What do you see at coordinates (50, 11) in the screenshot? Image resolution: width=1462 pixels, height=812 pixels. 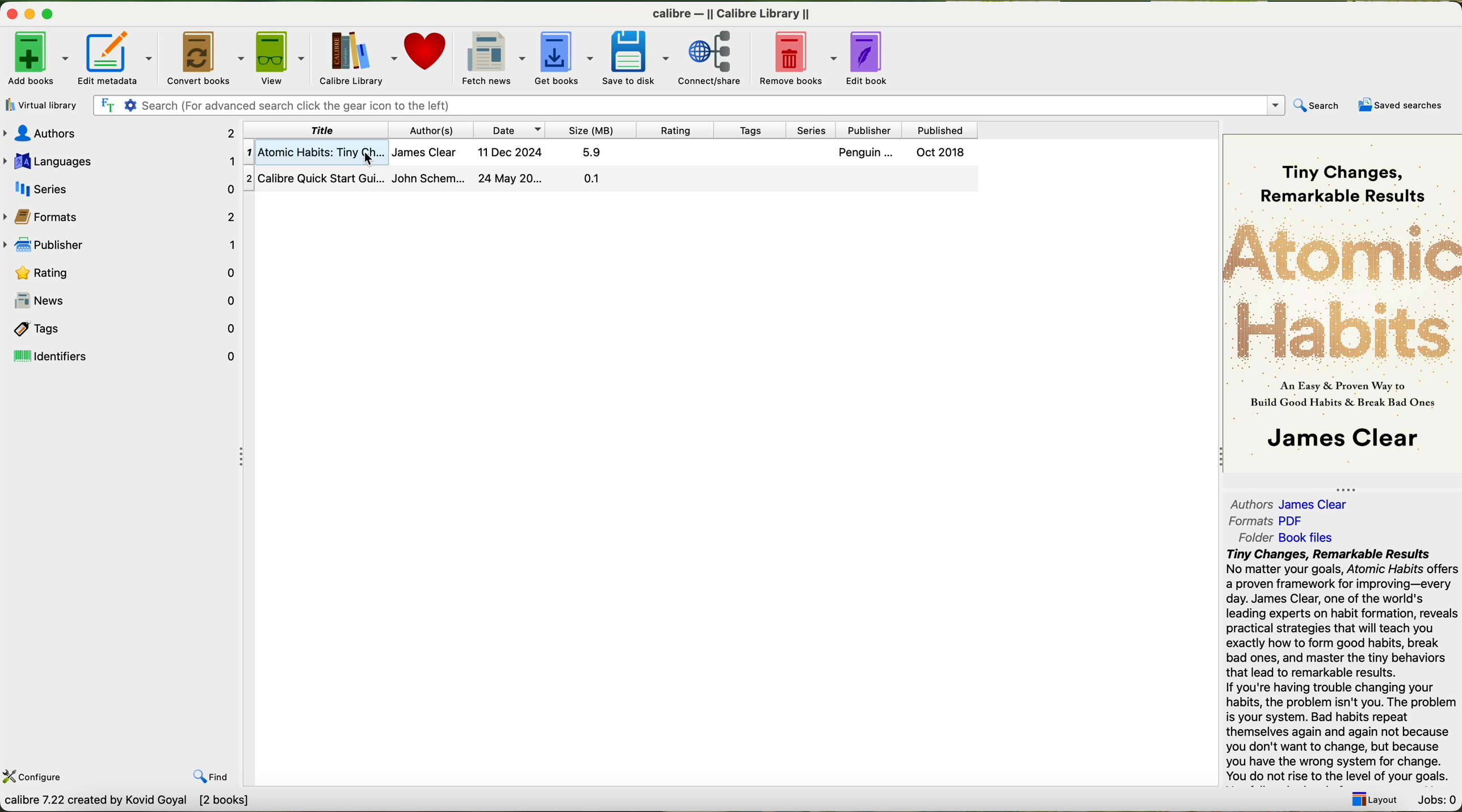 I see `maximize program` at bounding box center [50, 11].